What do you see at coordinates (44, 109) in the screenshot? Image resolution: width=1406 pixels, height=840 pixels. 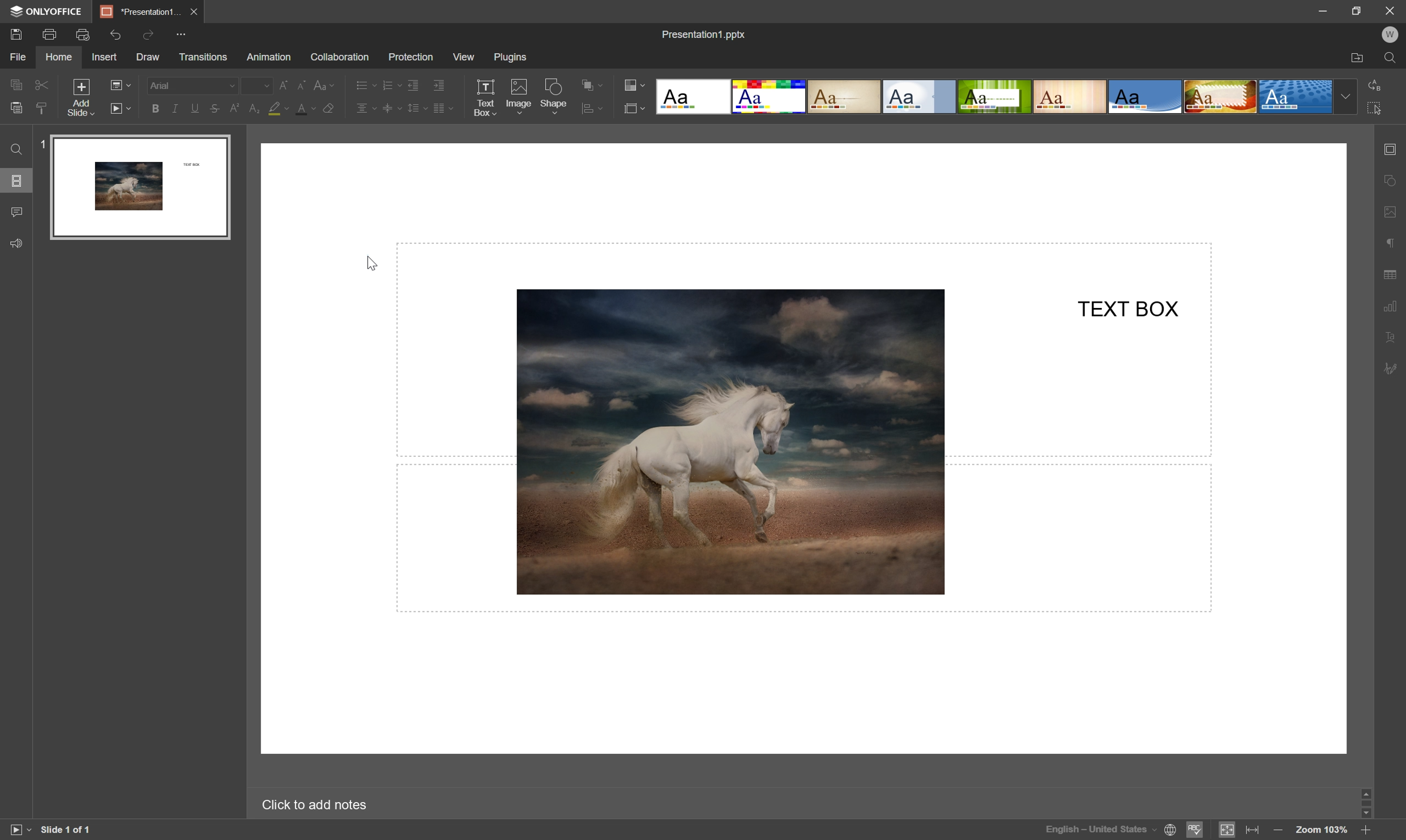 I see `clear style` at bounding box center [44, 109].